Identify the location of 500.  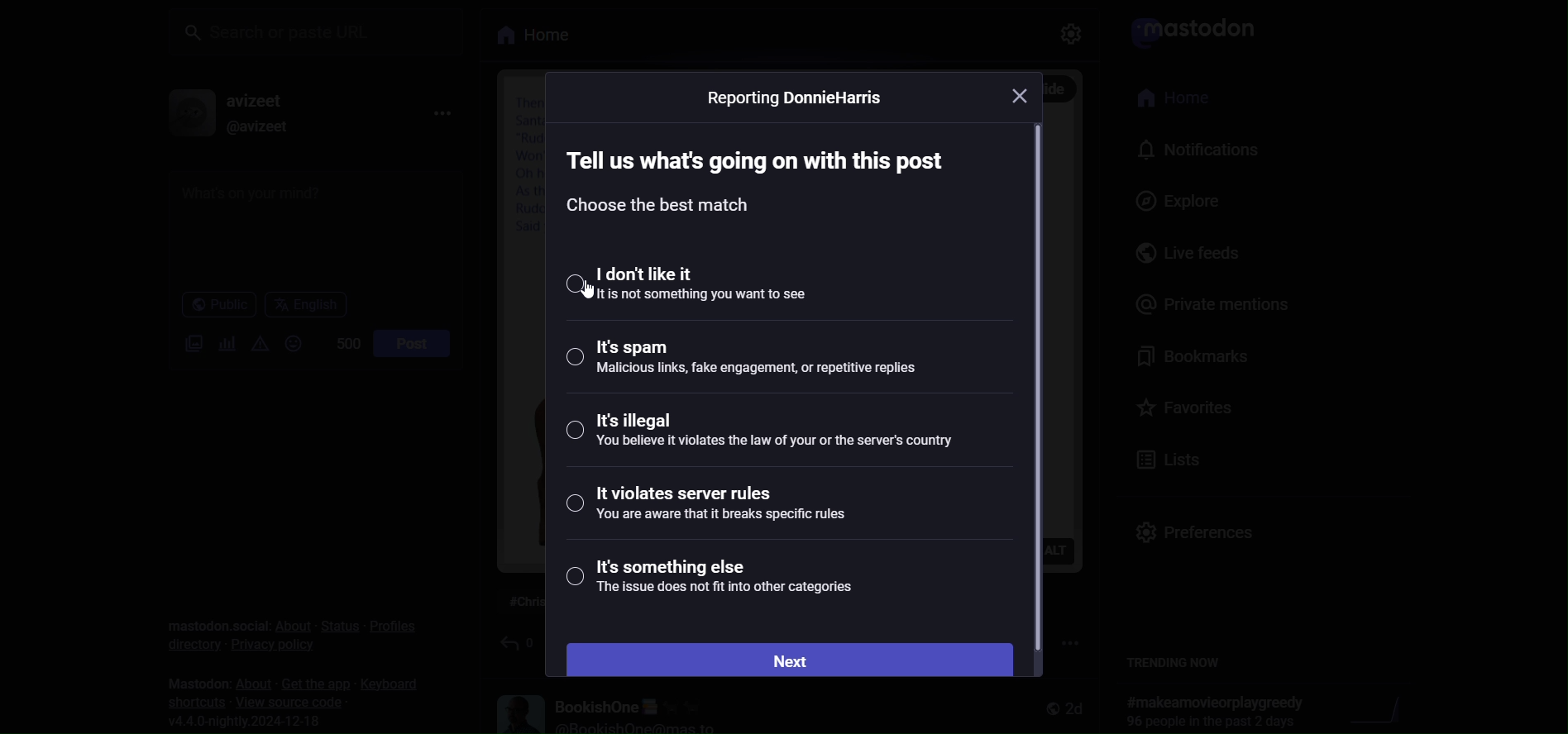
(338, 342).